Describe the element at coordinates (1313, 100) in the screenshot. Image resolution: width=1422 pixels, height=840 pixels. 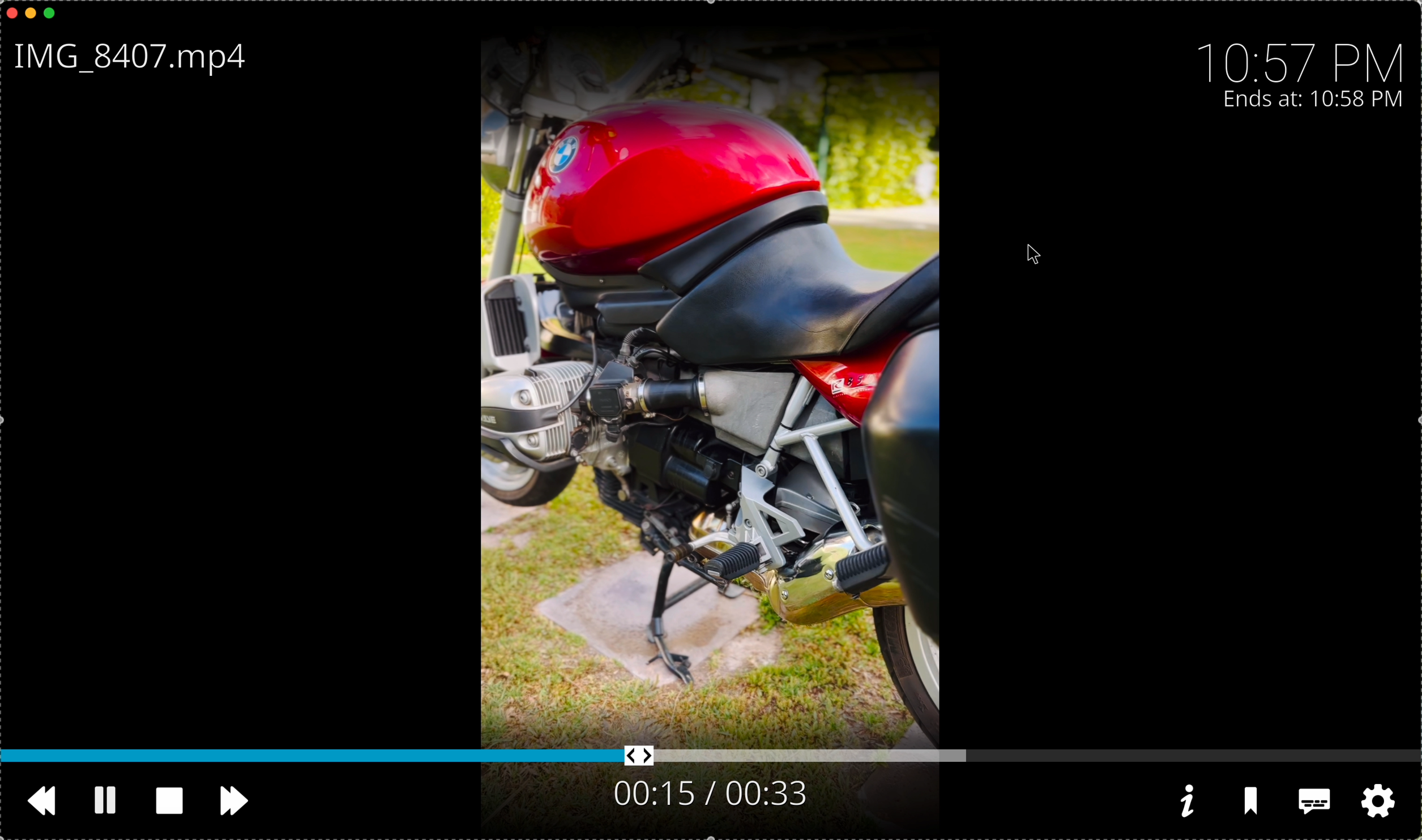
I see `ends at 10:58 PM` at that location.